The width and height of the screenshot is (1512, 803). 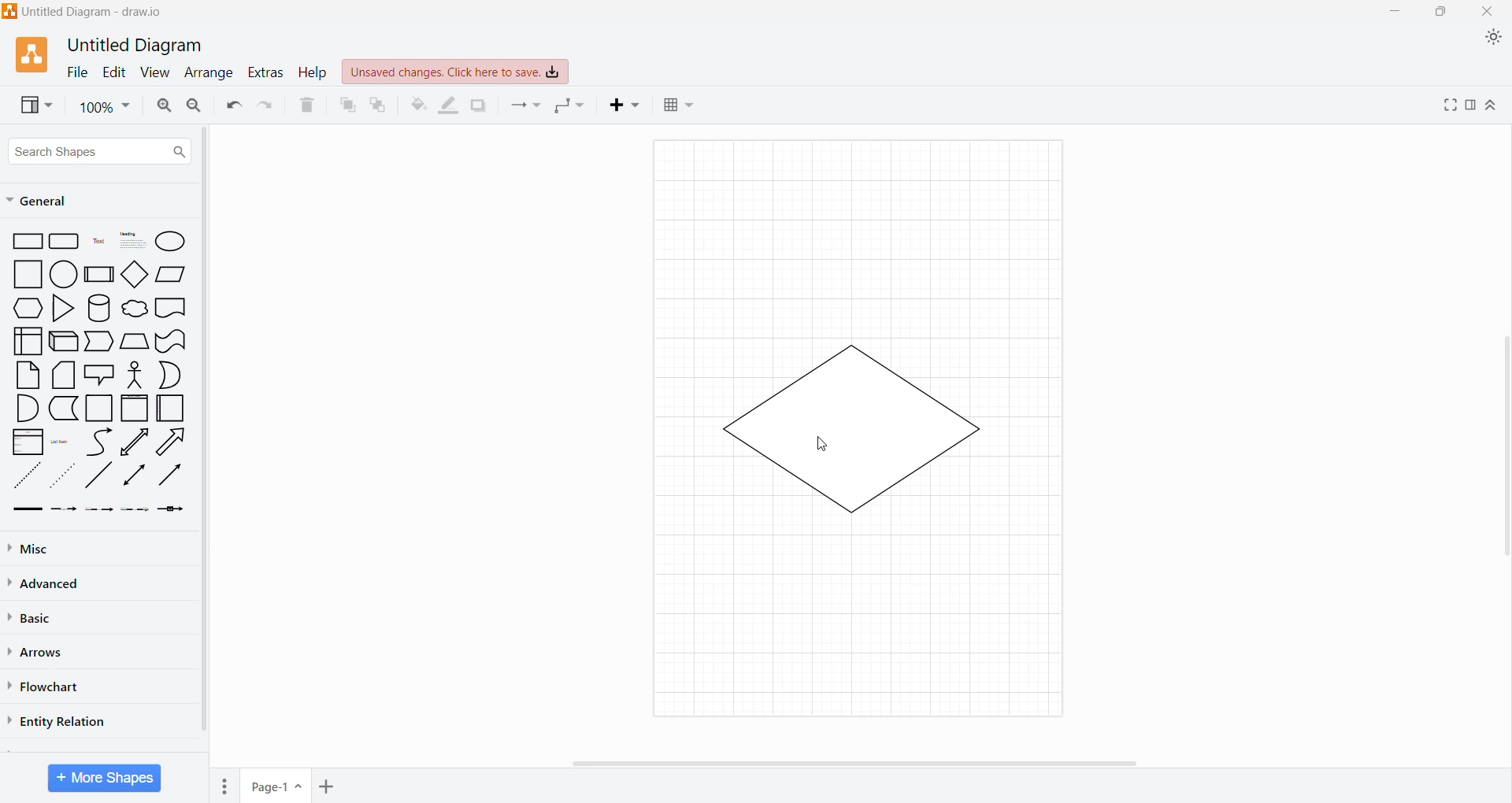 What do you see at coordinates (1447, 105) in the screenshot?
I see `FullScreen` at bounding box center [1447, 105].